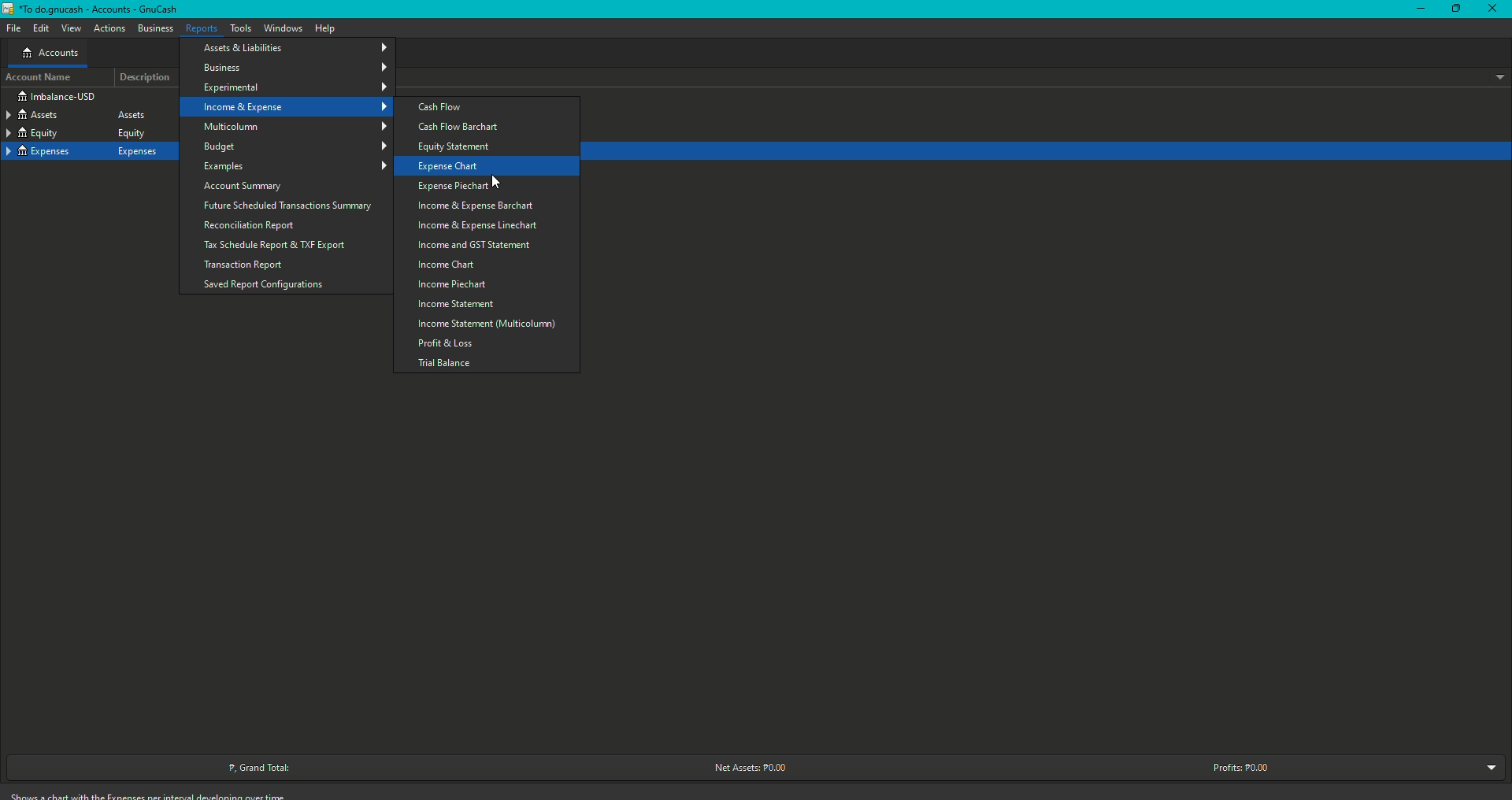 Image resolution: width=1512 pixels, height=800 pixels. Describe the element at coordinates (109, 27) in the screenshot. I see `Actions` at that location.